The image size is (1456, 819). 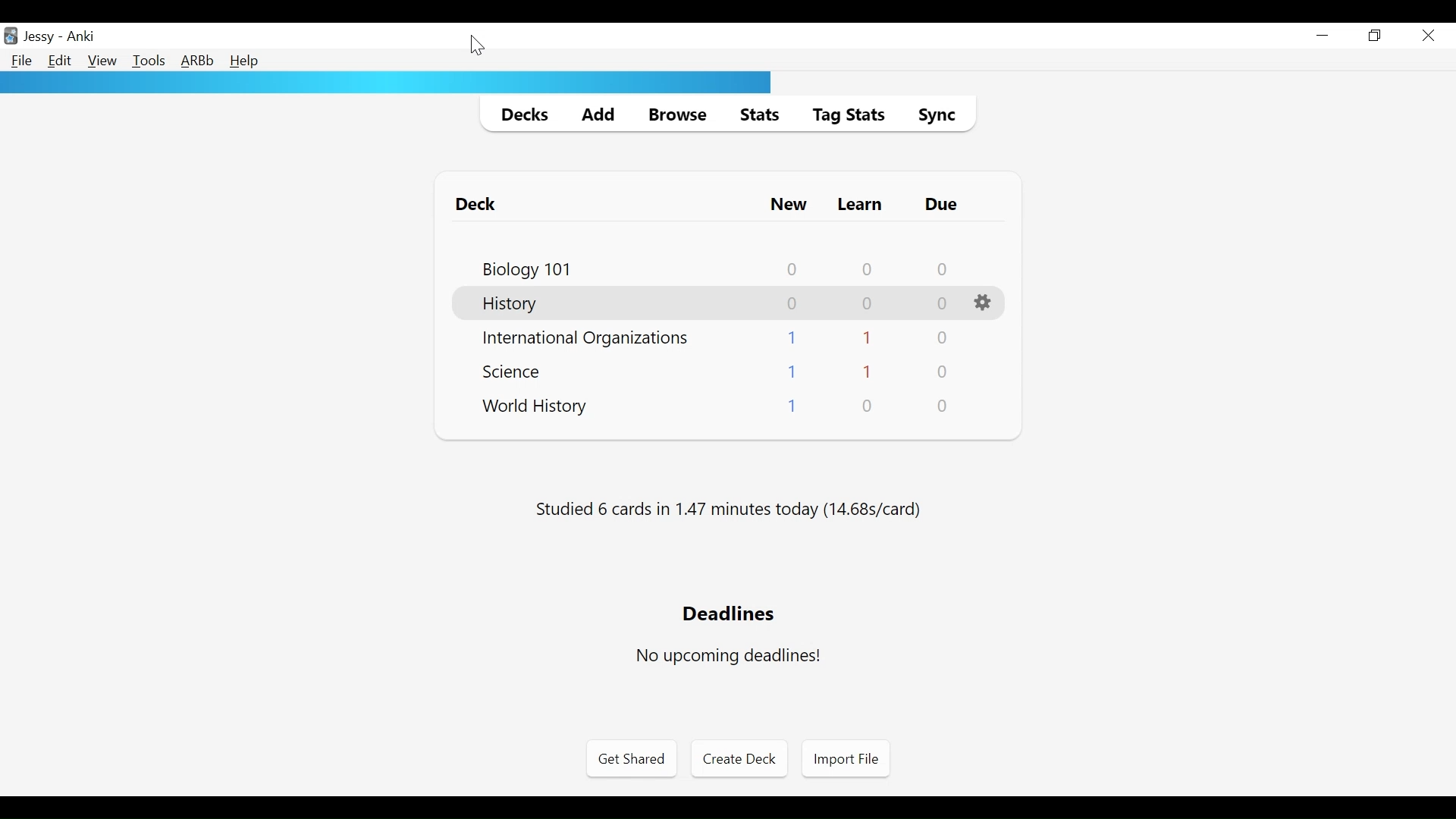 What do you see at coordinates (793, 372) in the screenshot?
I see `New Card Name` at bounding box center [793, 372].